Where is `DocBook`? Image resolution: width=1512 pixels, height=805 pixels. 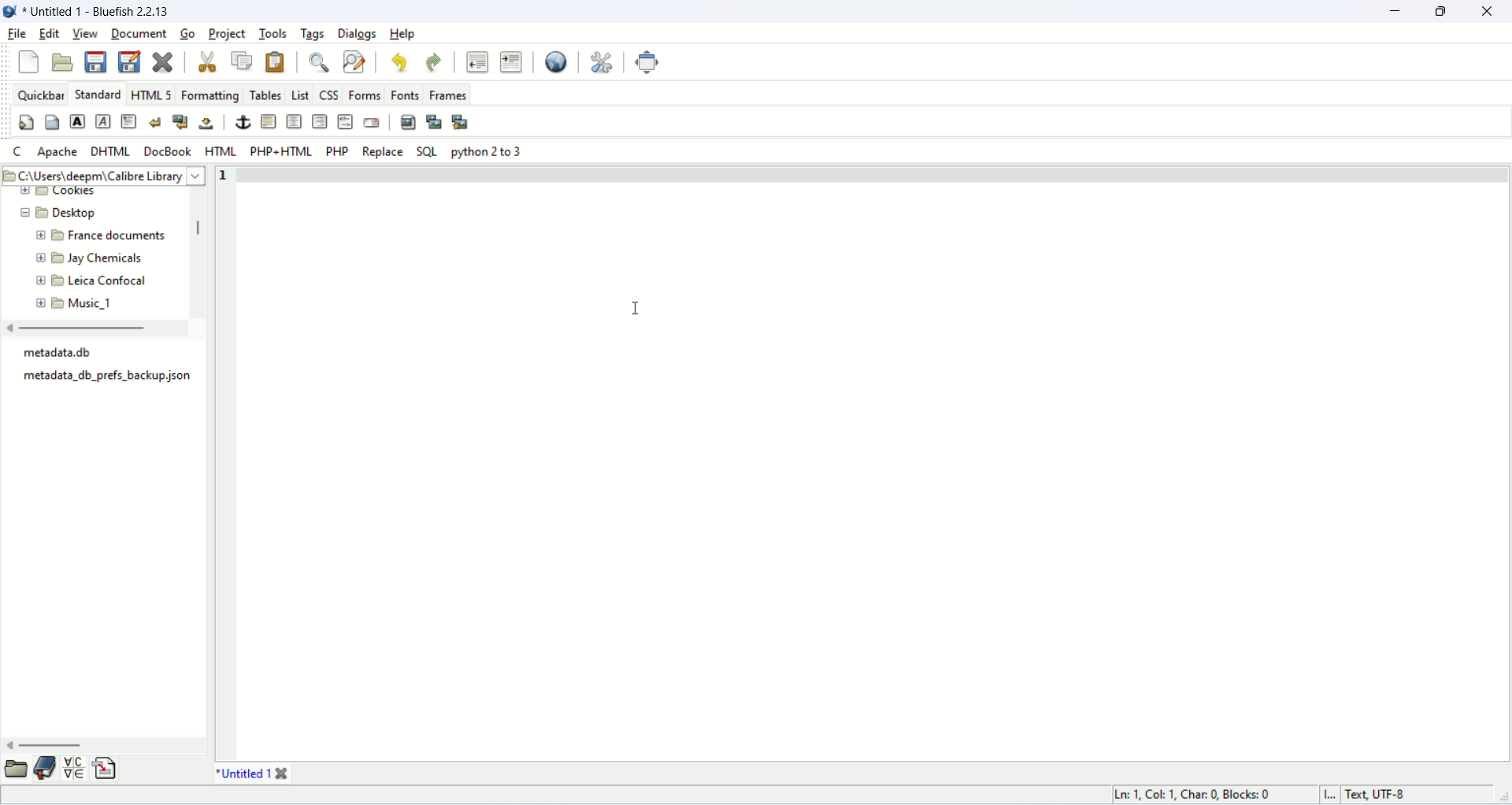
DocBook is located at coordinates (169, 151).